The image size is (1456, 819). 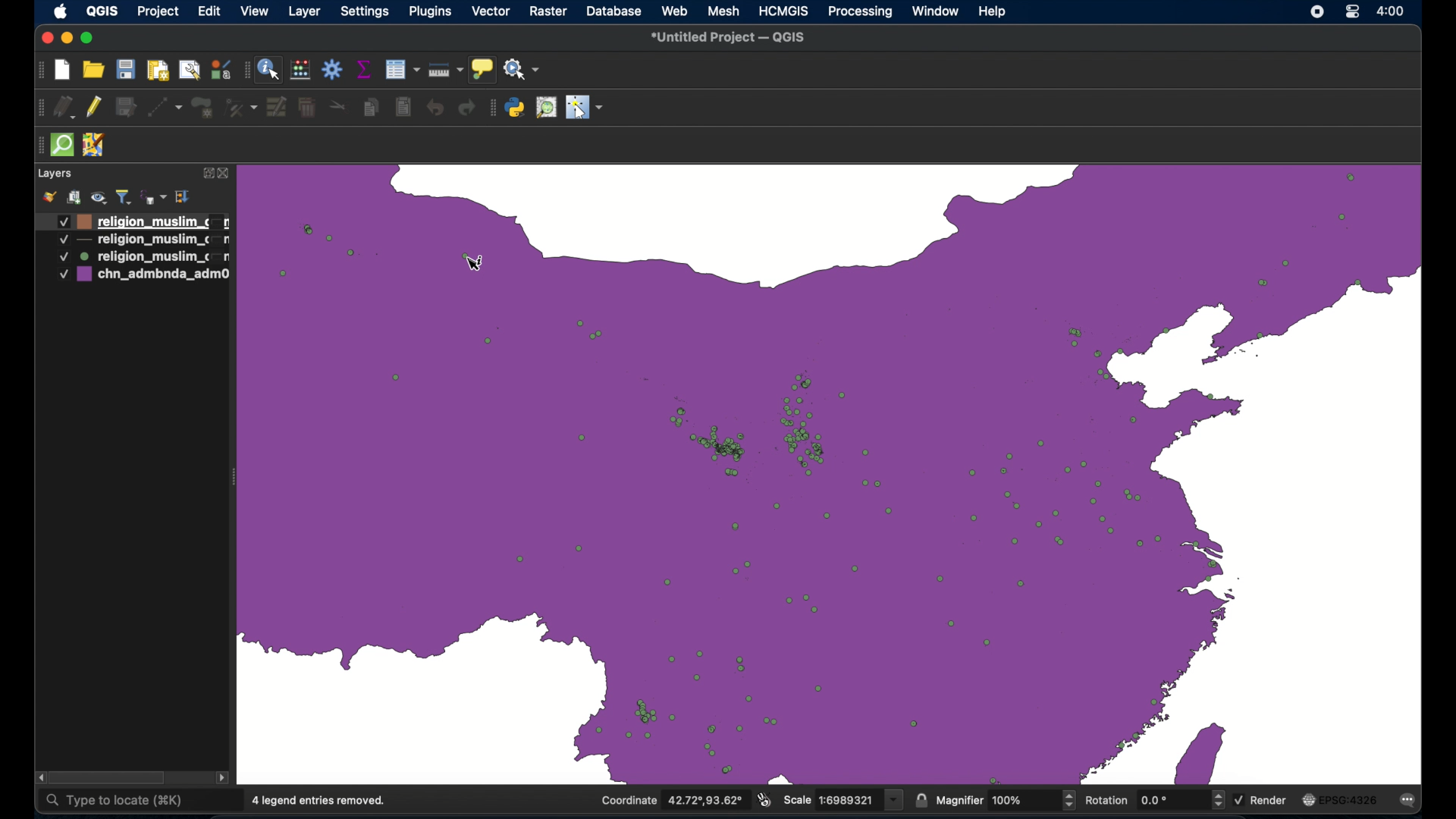 What do you see at coordinates (1352, 13) in the screenshot?
I see `control center` at bounding box center [1352, 13].